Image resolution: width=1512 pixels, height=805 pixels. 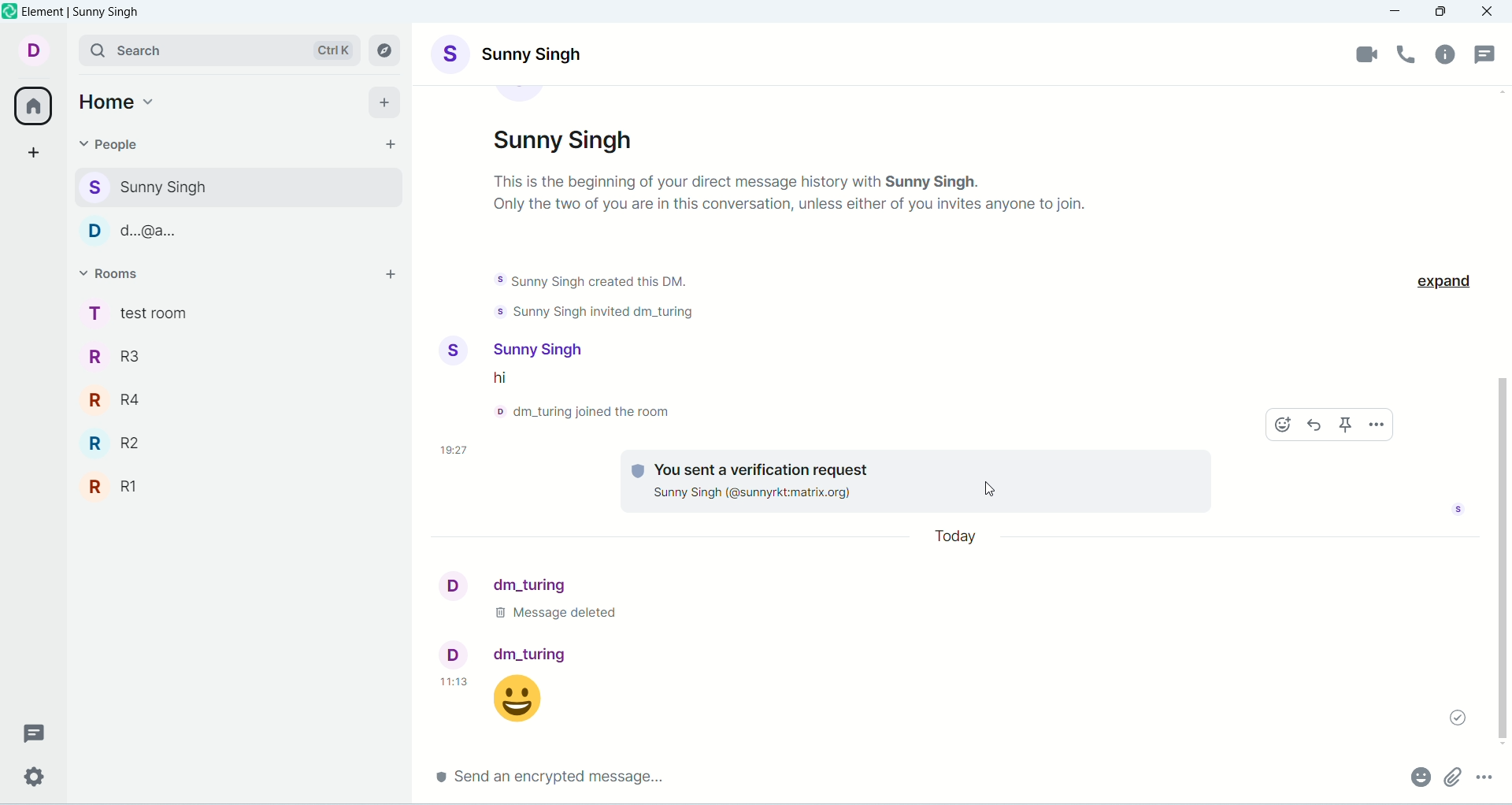 What do you see at coordinates (239, 482) in the screenshot?
I see `R1` at bounding box center [239, 482].